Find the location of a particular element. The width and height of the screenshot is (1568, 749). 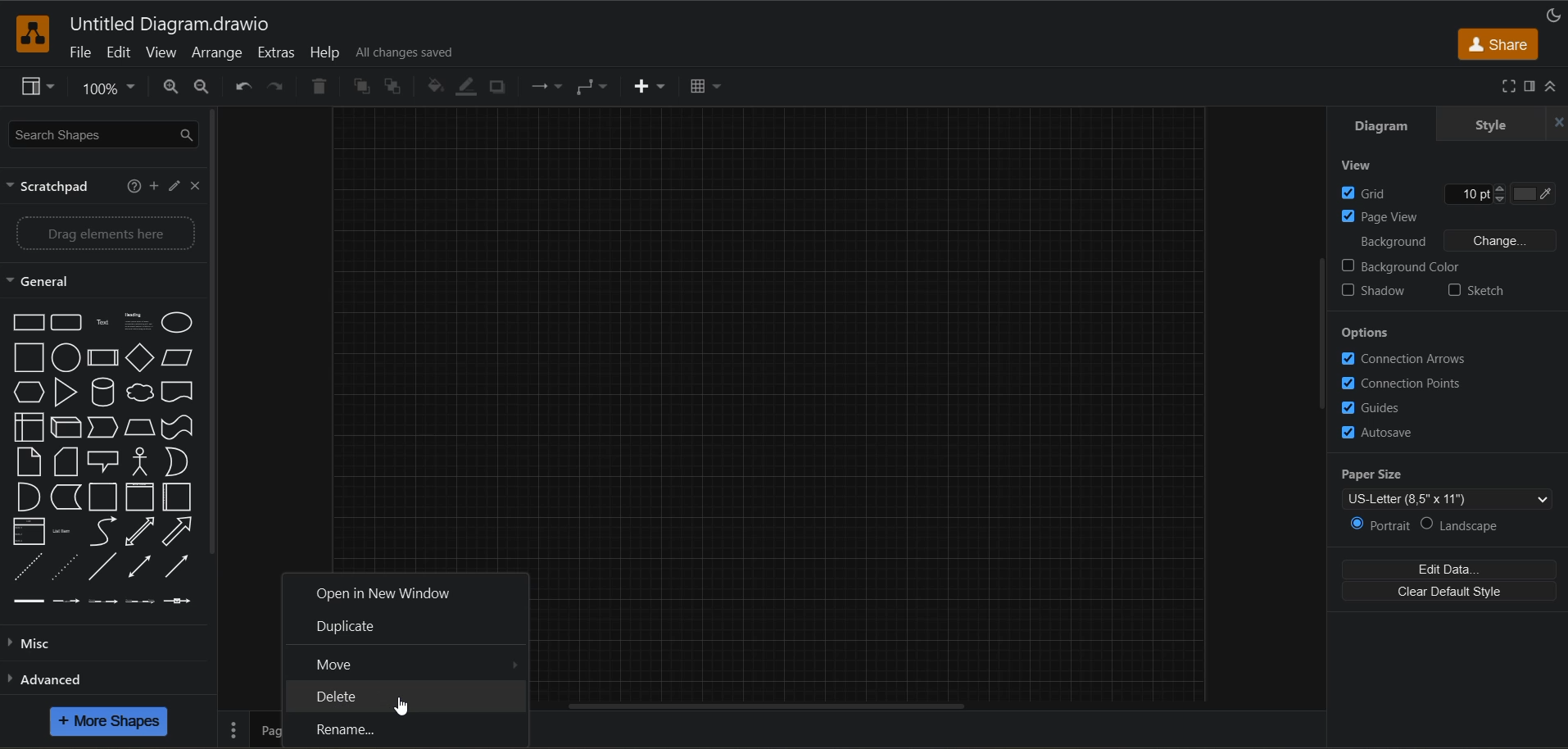

drag elements here is located at coordinates (100, 235).